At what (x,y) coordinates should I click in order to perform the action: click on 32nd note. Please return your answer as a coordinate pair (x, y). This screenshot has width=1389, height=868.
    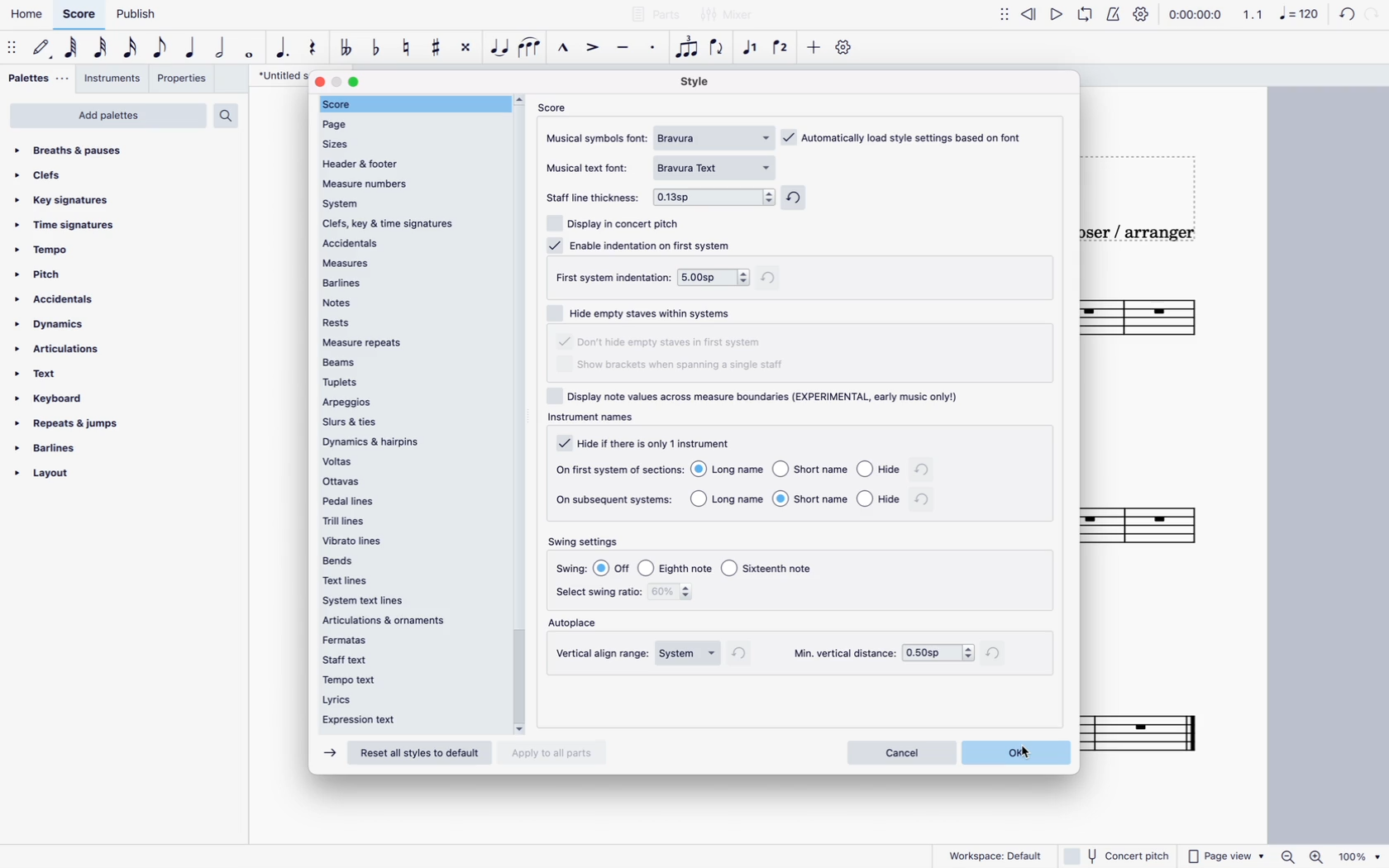
    Looking at the image, I should click on (102, 51).